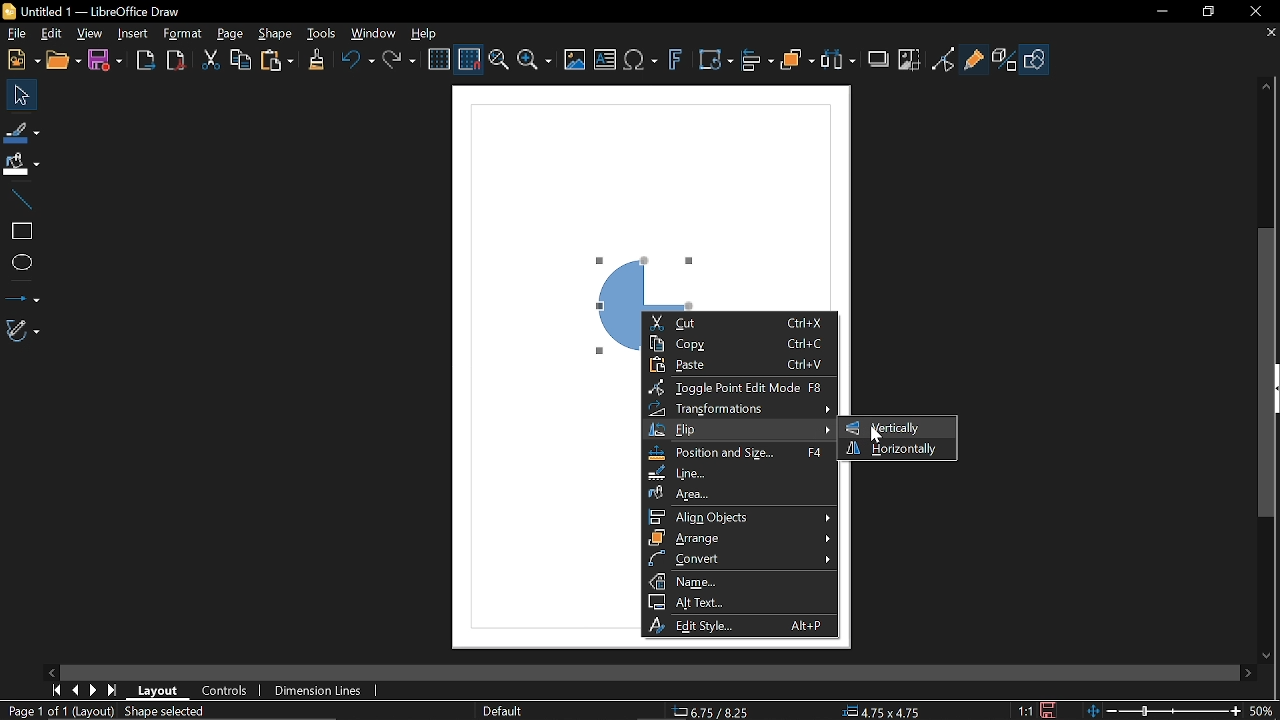 This screenshot has height=720, width=1280. I want to click on Vertically, so click(886, 427).